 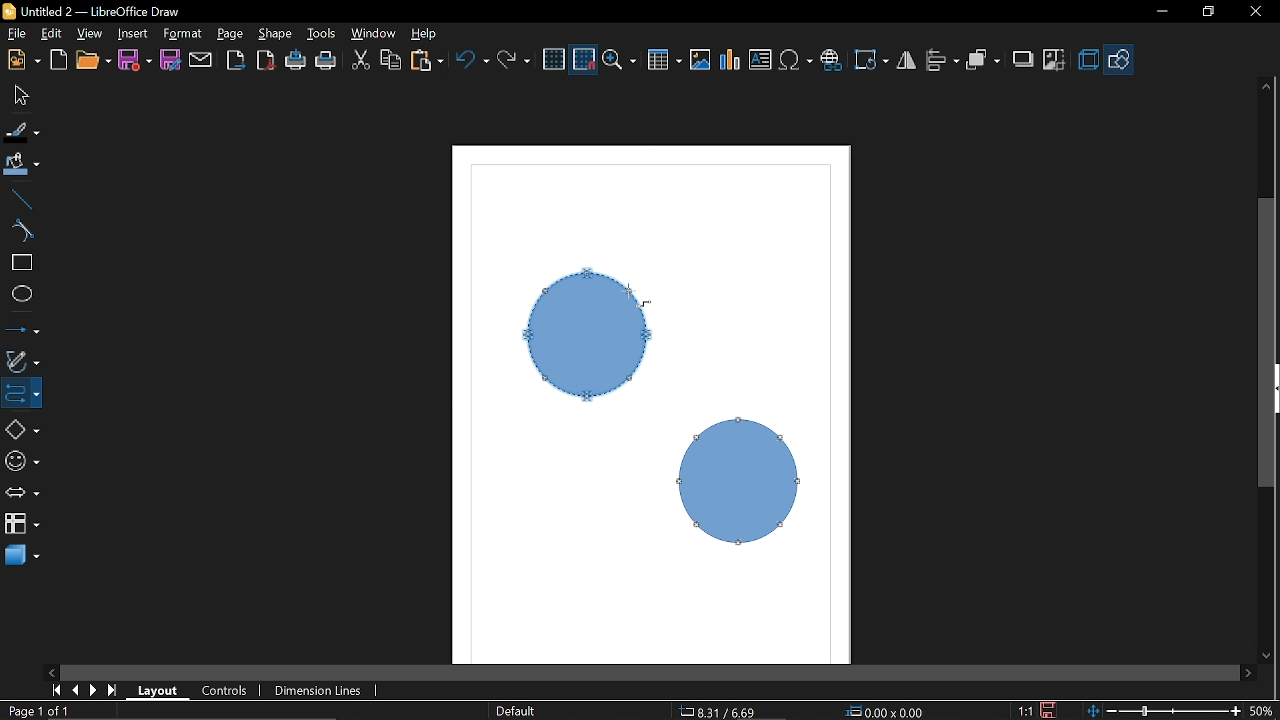 What do you see at coordinates (267, 59) in the screenshot?
I see `Export to PDF` at bounding box center [267, 59].